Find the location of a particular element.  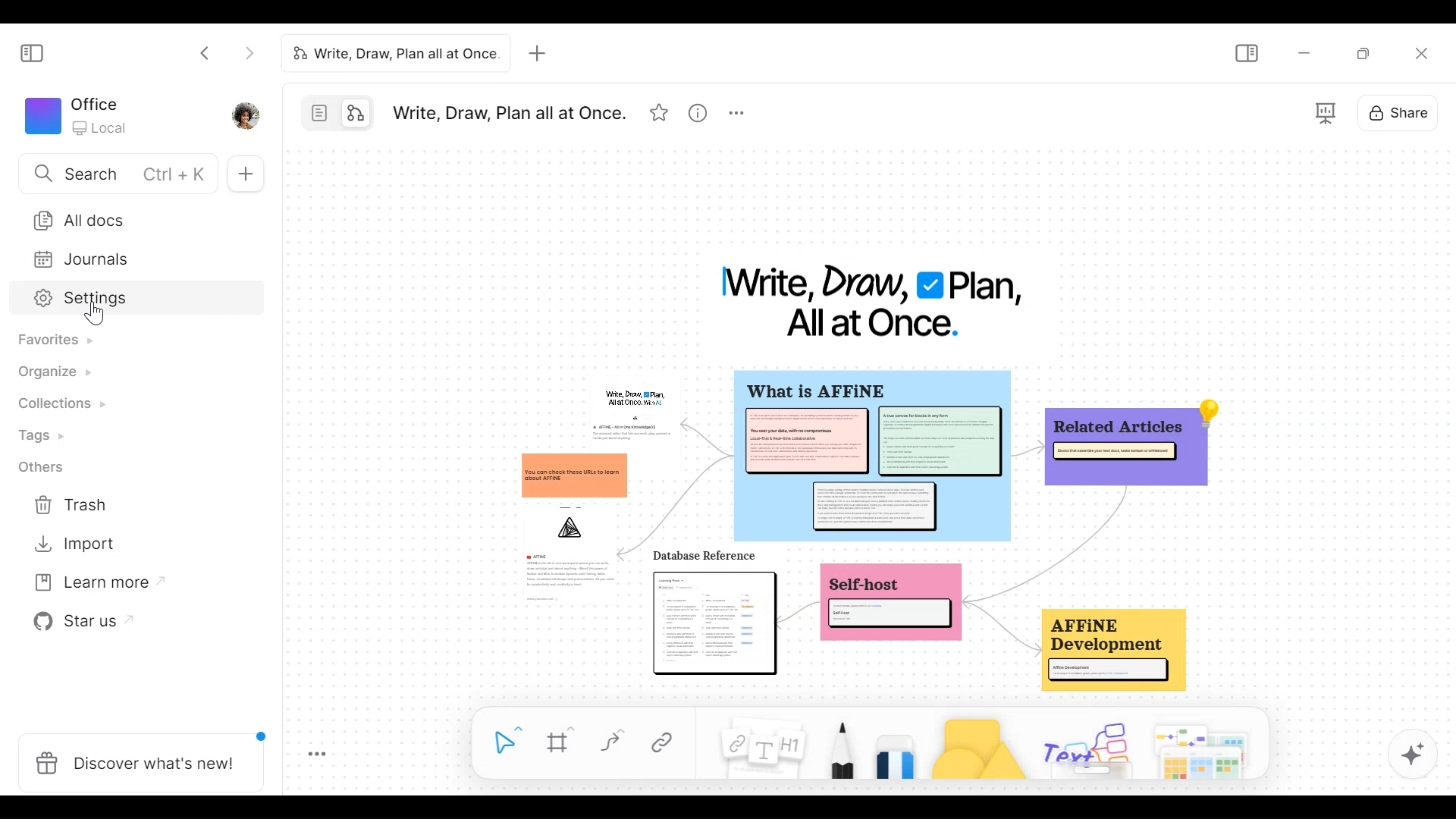

minimize is located at coordinates (1305, 52).